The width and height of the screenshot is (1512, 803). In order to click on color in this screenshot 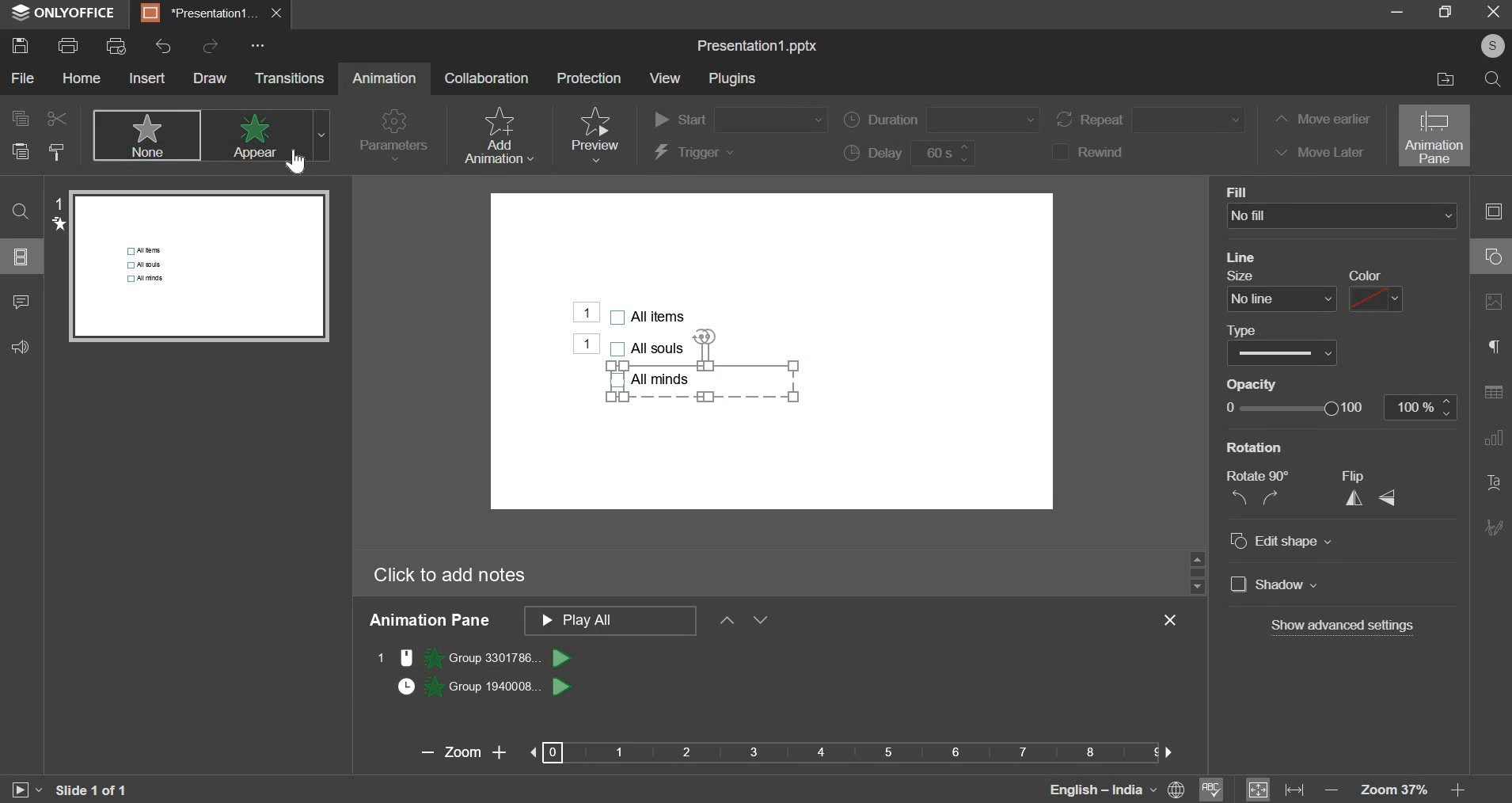, I will do `click(1374, 298)`.